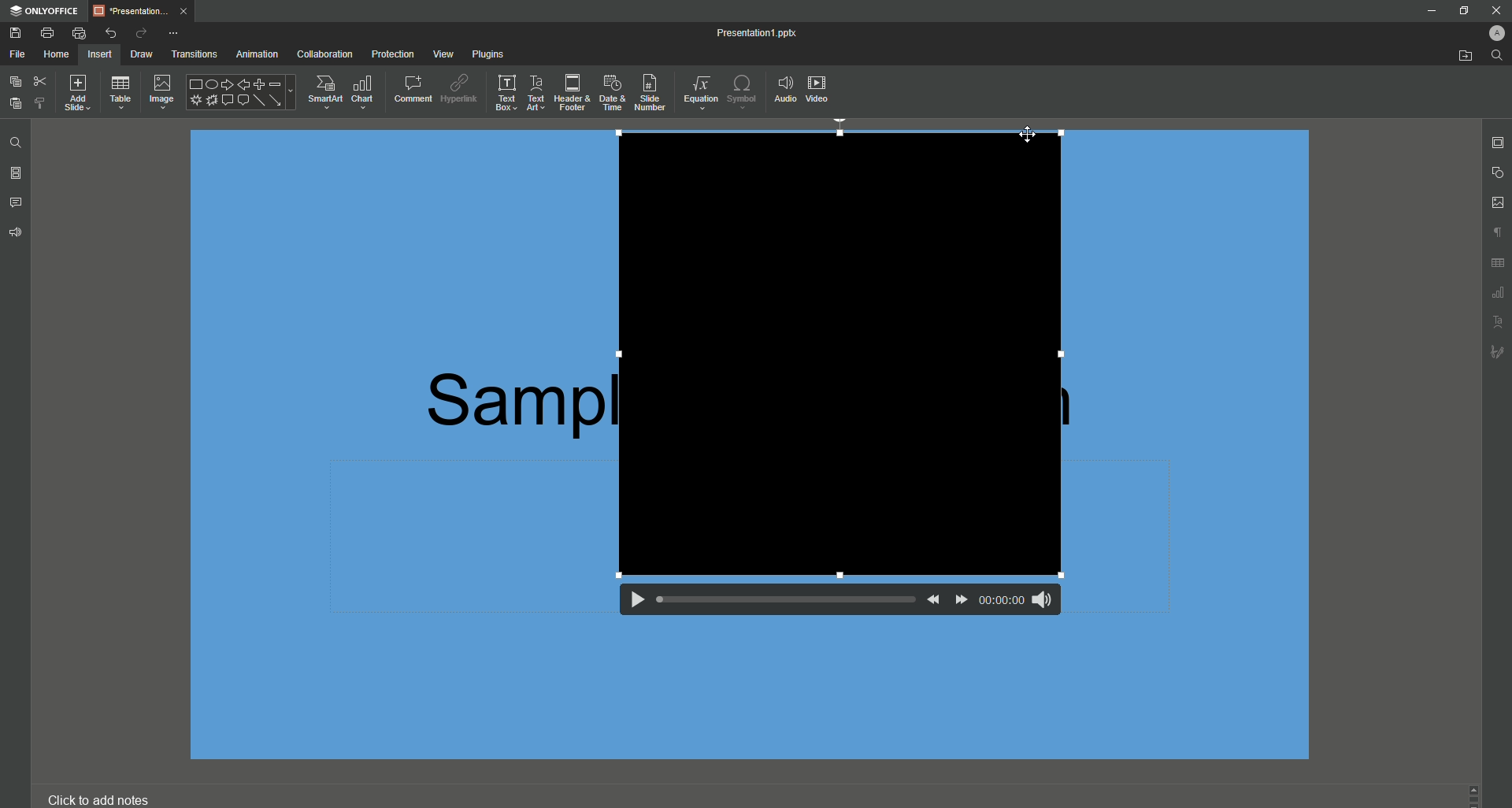 This screenshot has height=808, width=1512. I want to click on Shape Options, so click(240, 93).